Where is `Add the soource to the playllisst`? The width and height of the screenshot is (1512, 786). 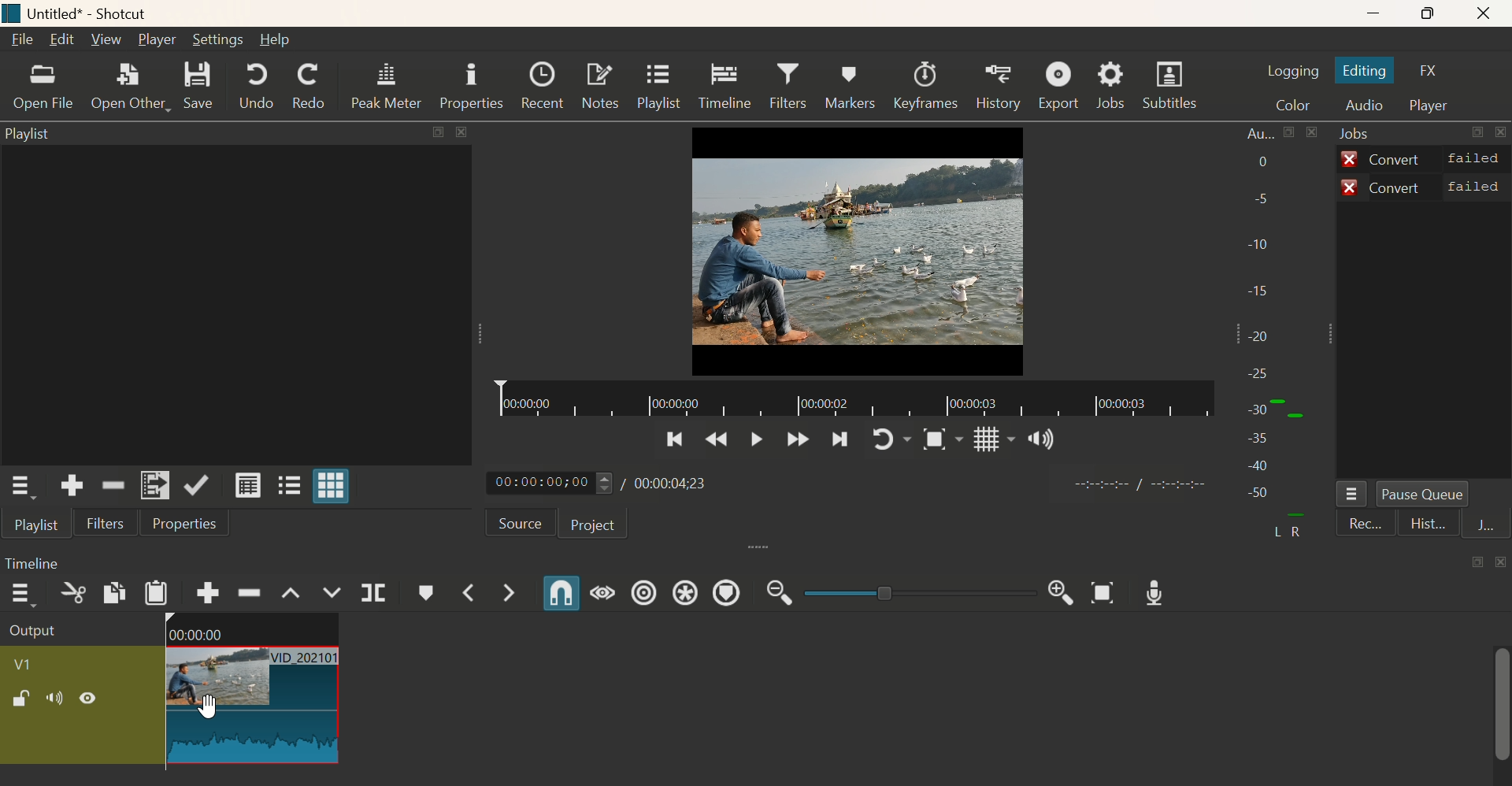 Add the soource to the playllisst is located at coordinates (75, 485).